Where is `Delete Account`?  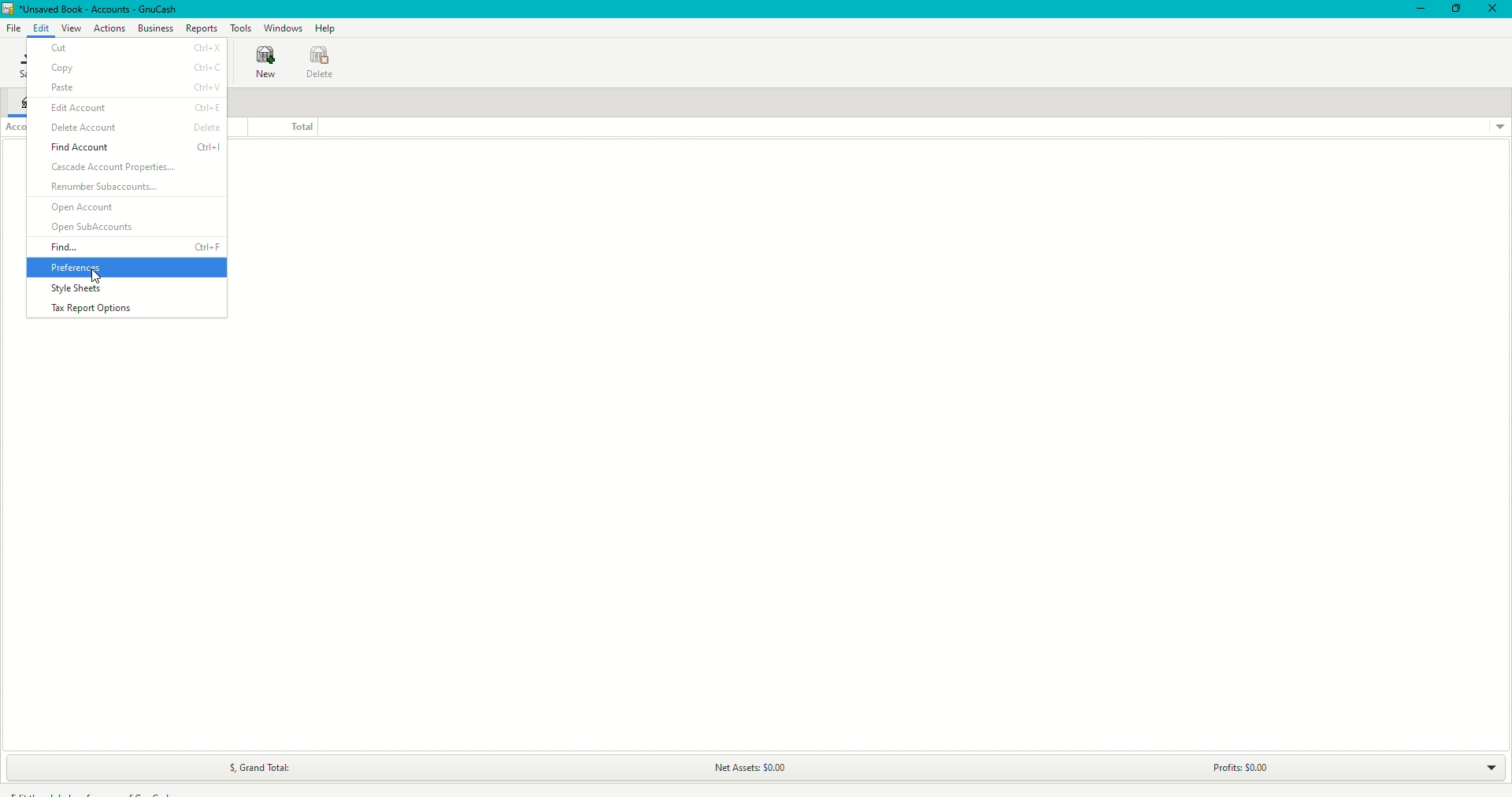
Delete Account is located at coordinates (137, 128).